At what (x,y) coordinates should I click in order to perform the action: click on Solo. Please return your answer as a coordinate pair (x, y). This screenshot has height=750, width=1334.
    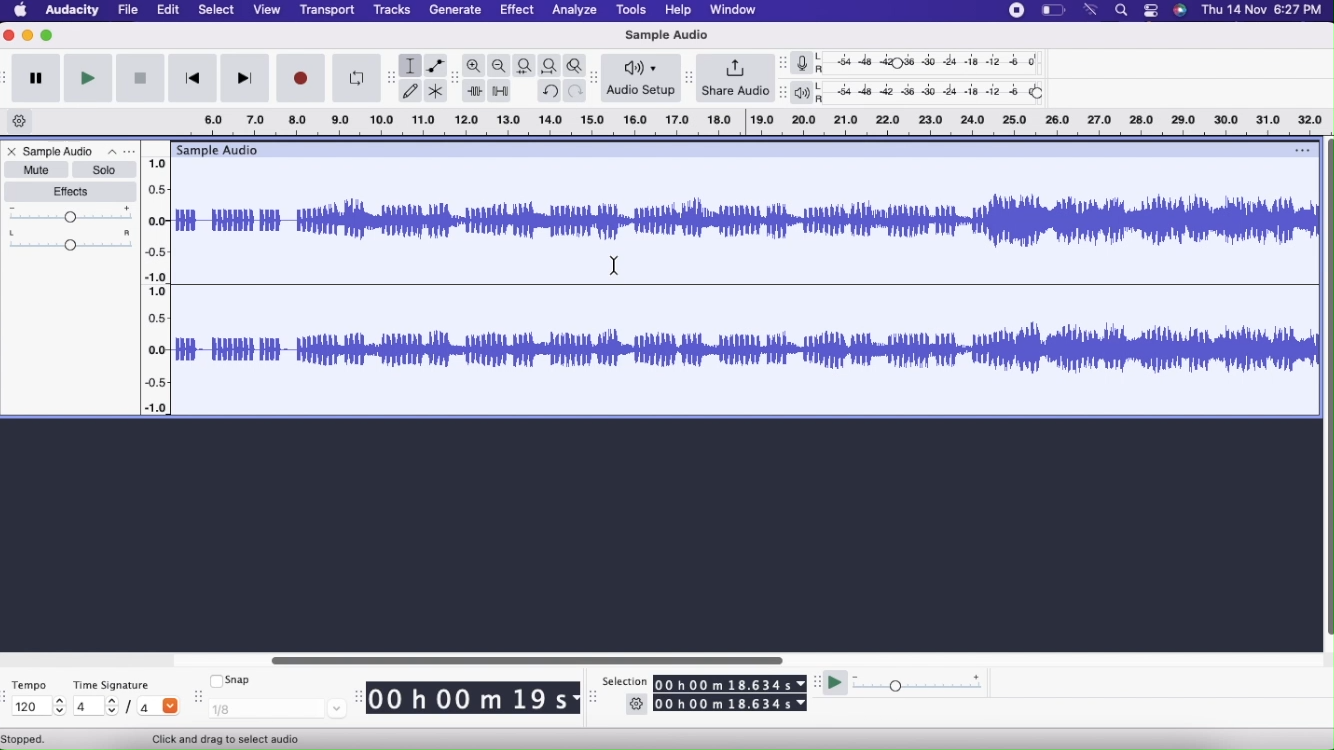
    Looking at the image, I should click on (105, 169).